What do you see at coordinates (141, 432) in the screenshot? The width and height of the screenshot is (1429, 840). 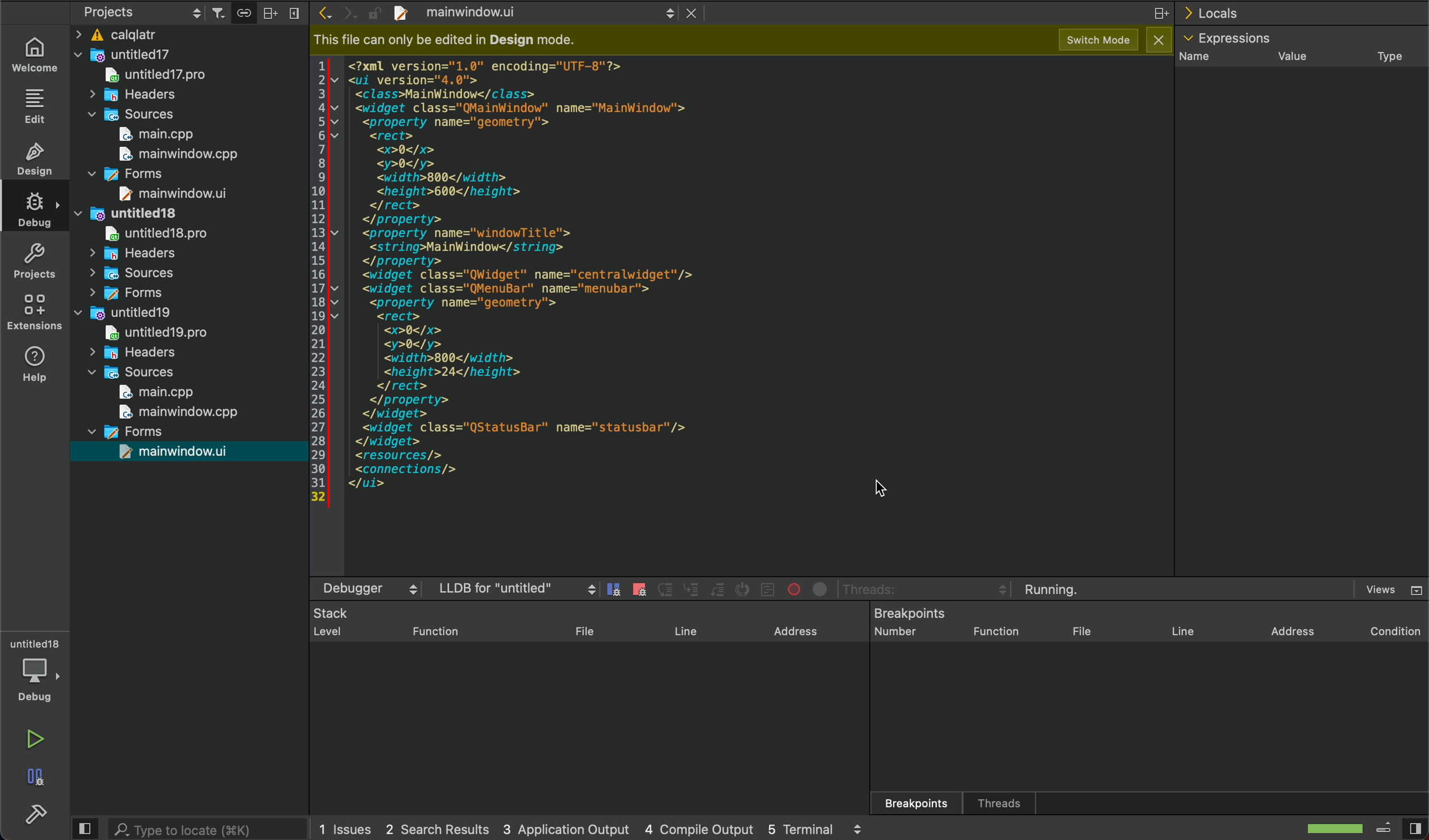 I see `forms` at bounding box center [141, 432].